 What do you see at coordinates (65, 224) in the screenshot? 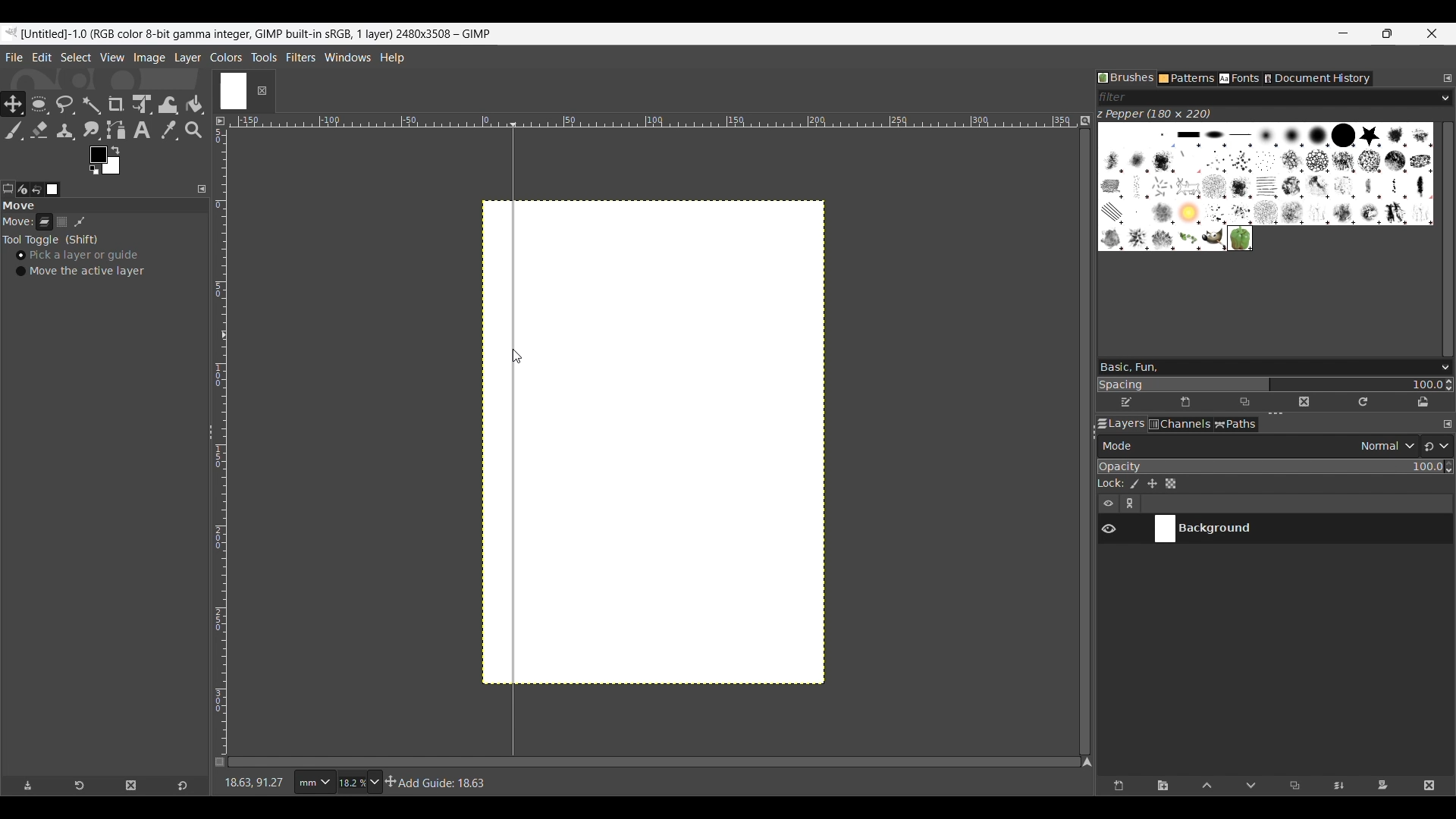
I see `Selection` at bounding box center [65, 224].